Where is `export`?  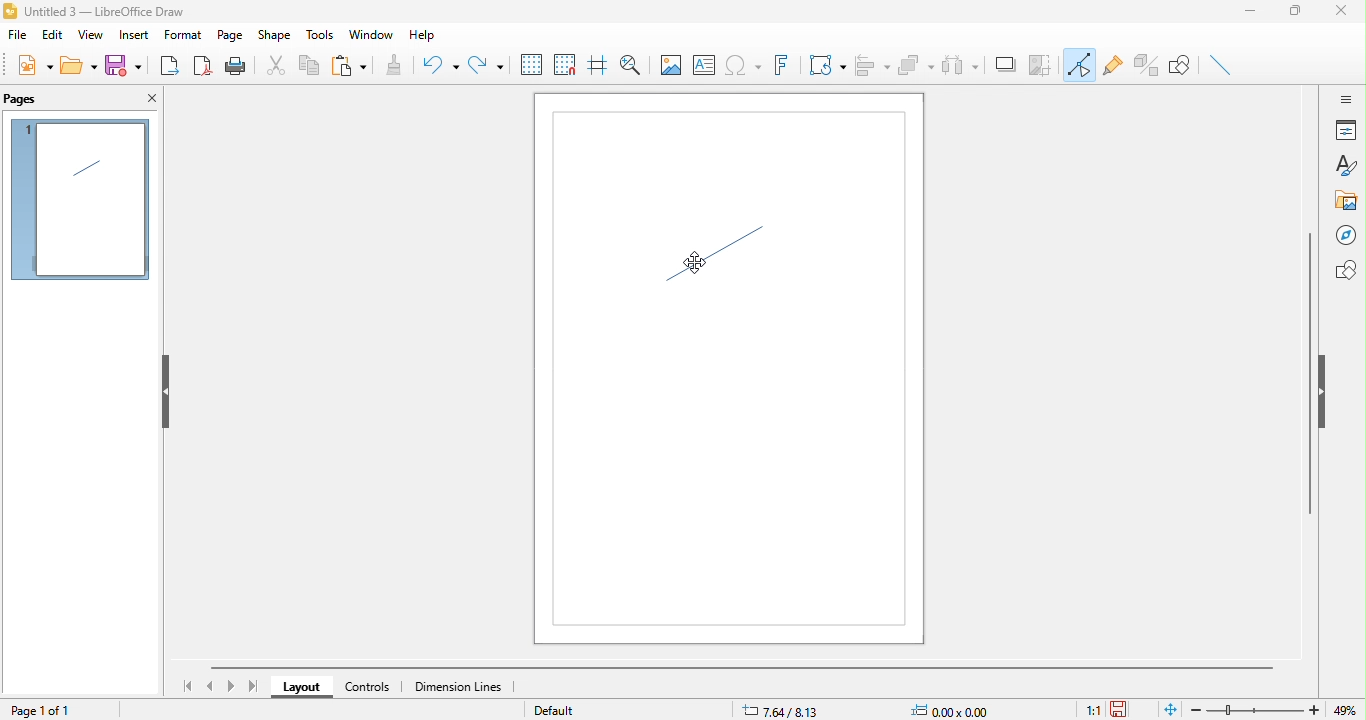 export is located at coordinates (171, 64).